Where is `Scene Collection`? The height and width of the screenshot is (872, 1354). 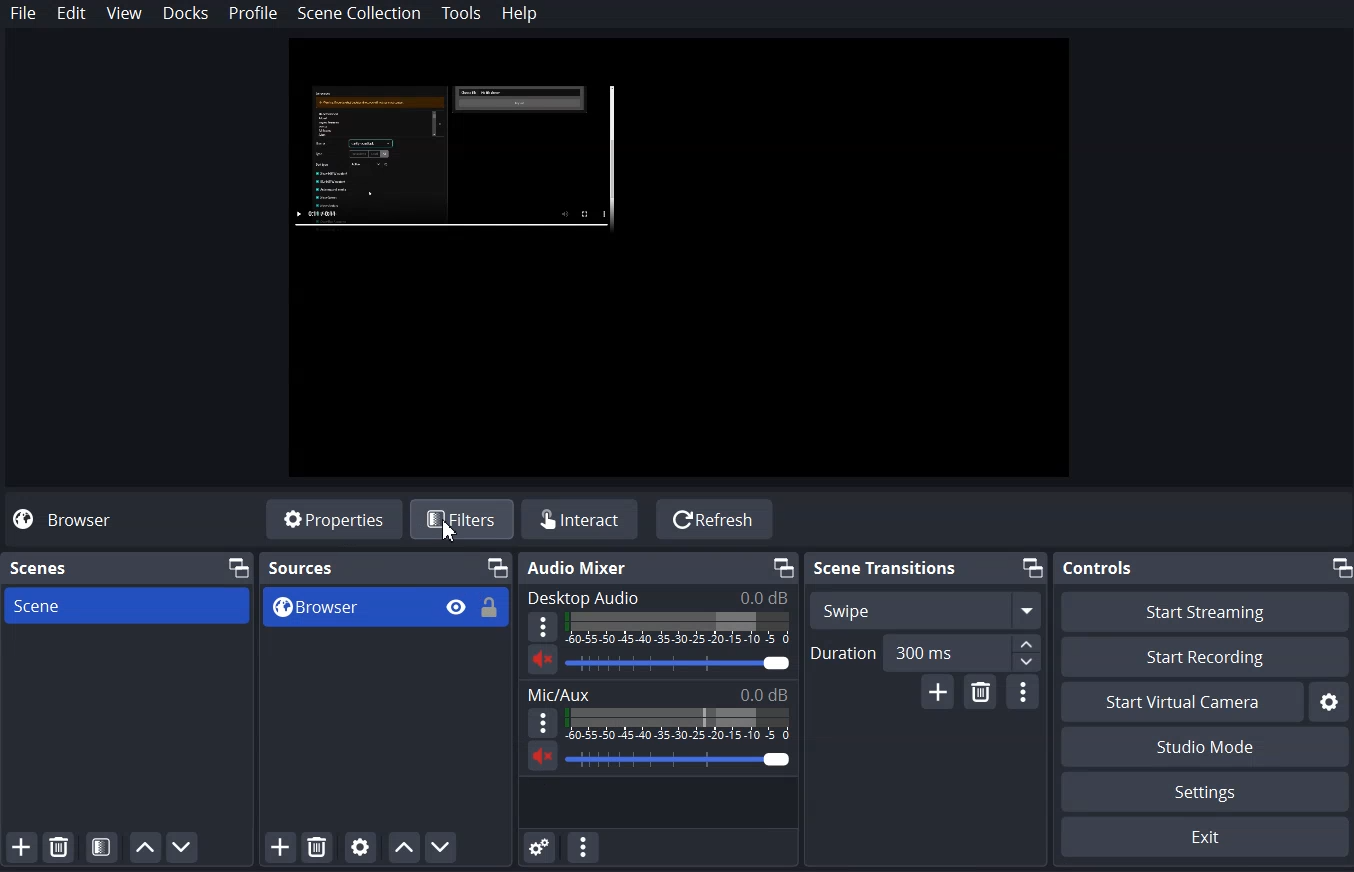 Scene Collection is located at coordinates (360, 13).